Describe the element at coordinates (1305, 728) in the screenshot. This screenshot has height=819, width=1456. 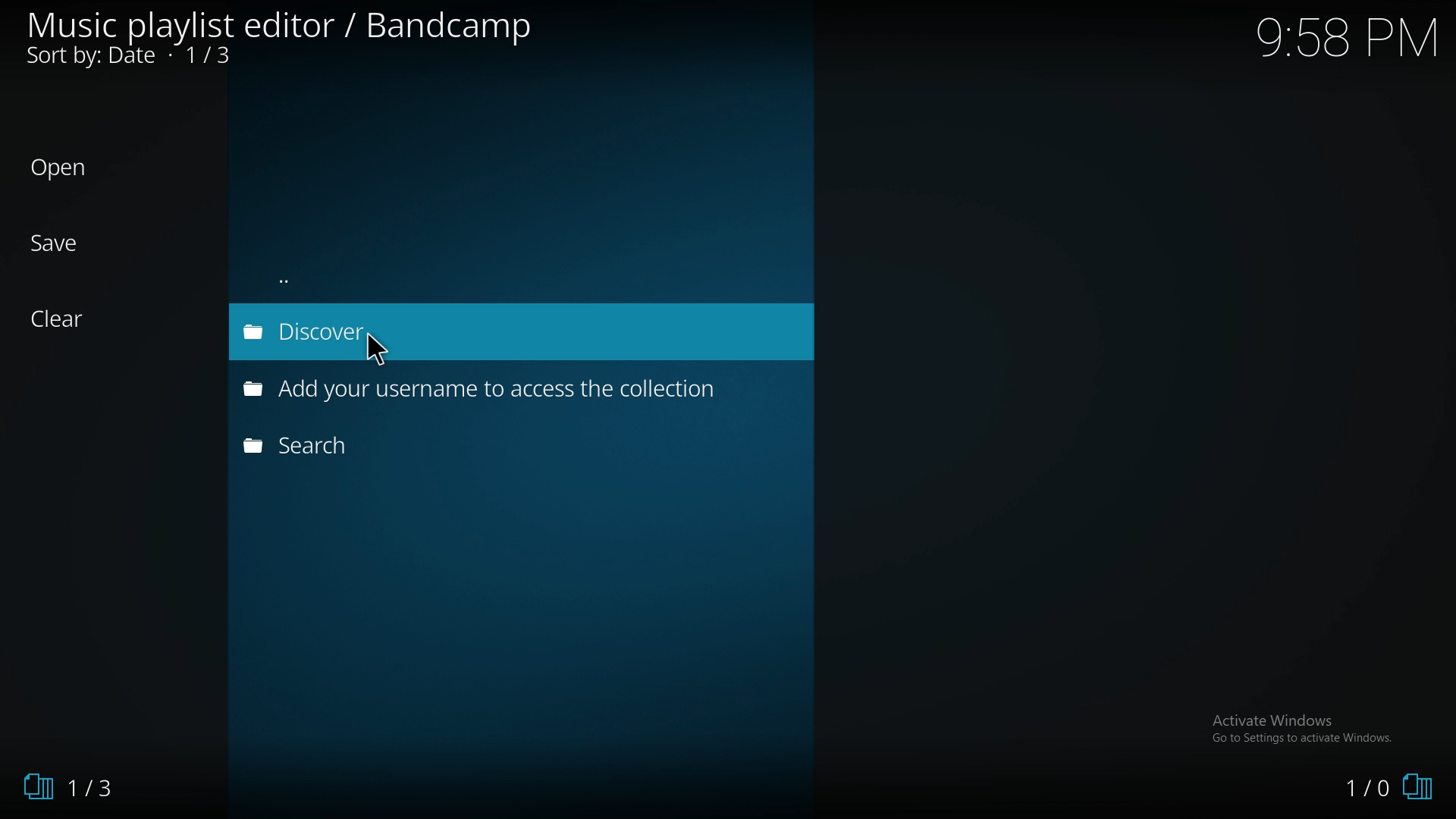
I see `Activate Windows, Go to settings to activate windows` at that location.